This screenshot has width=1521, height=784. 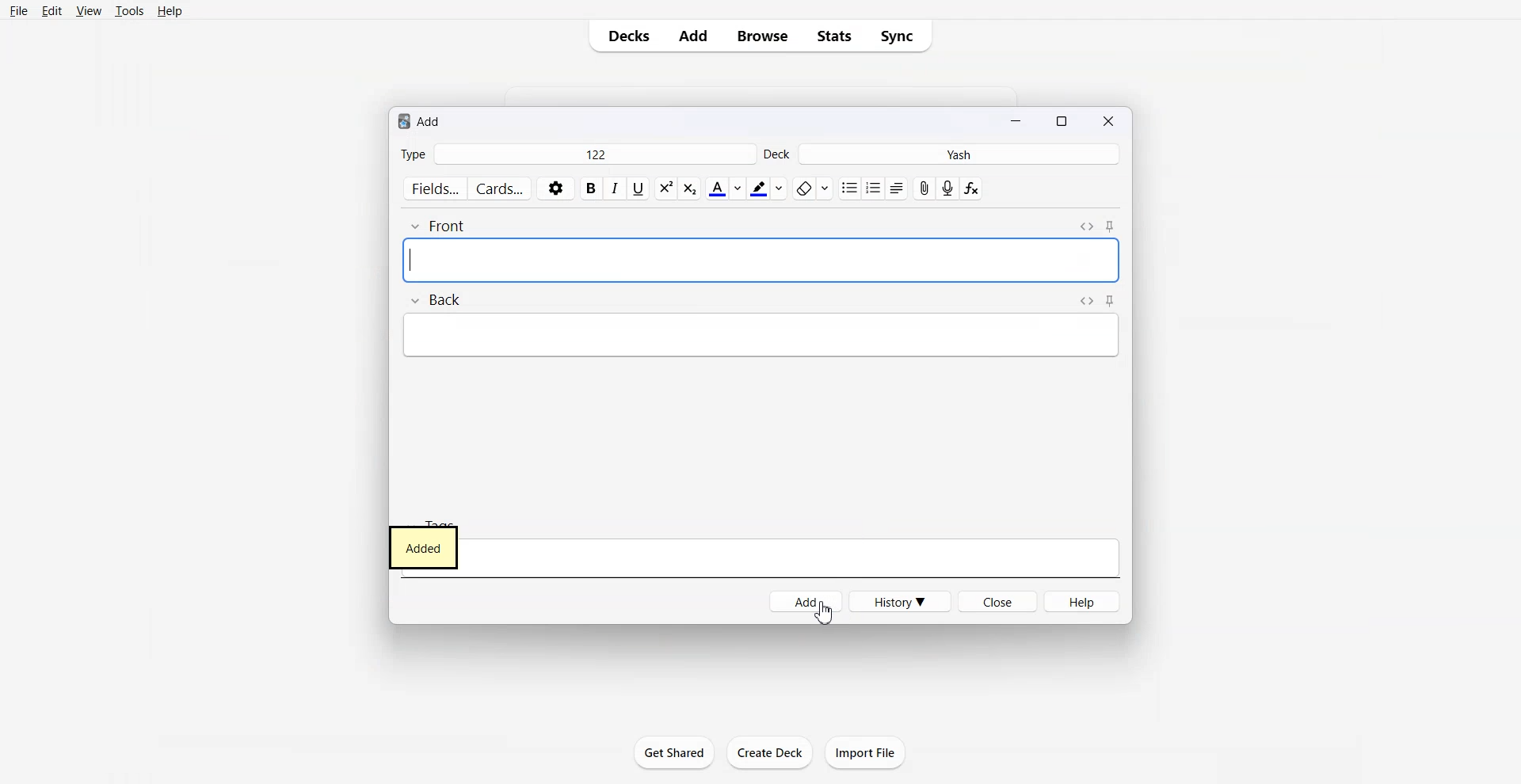 What do you see at coordinates (763, 36) in the screenshot?
I see `Browse` at bounding box center [763, 36].